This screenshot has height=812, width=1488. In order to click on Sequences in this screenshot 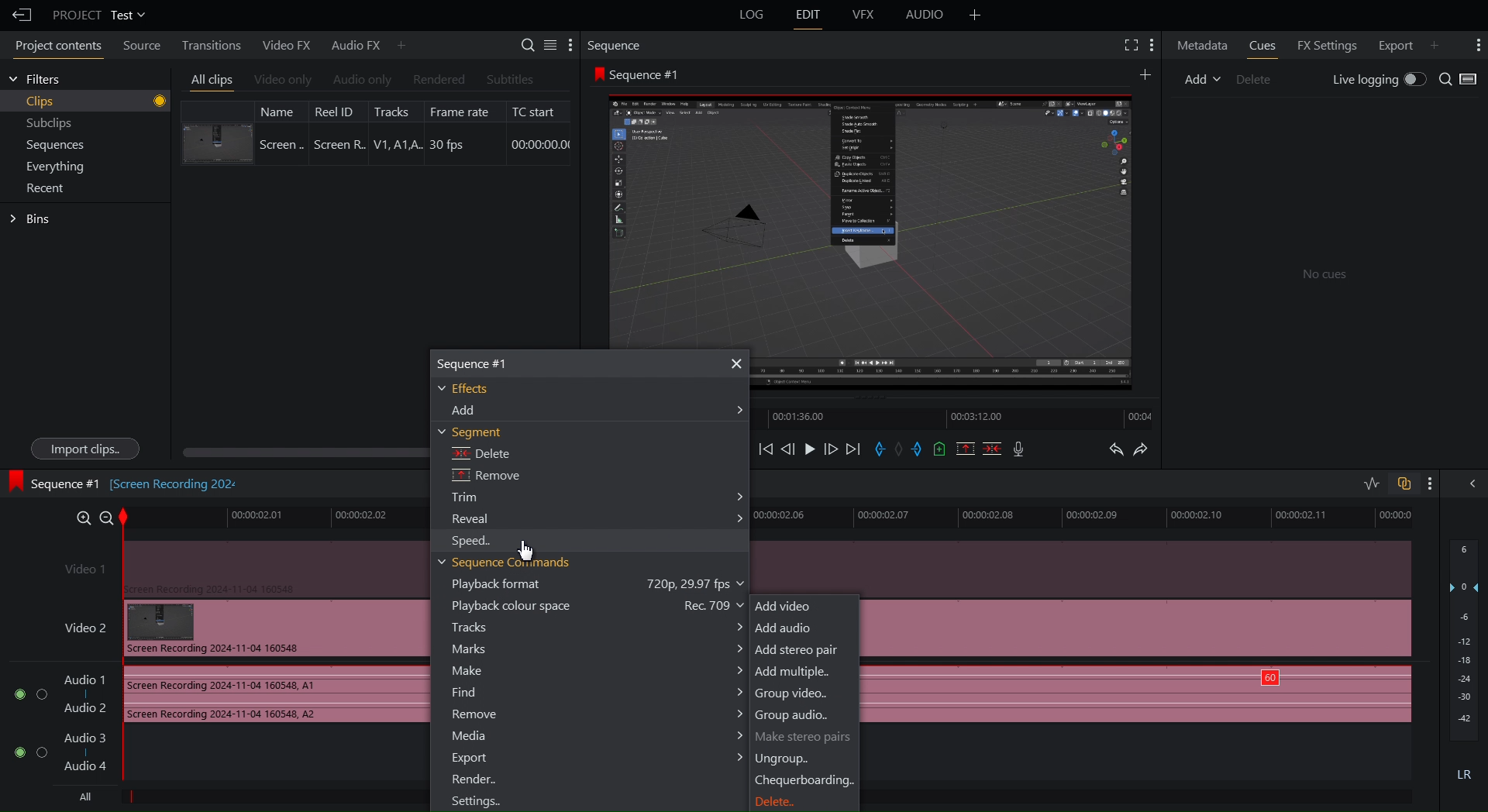, I will do `click(56, 146)`.